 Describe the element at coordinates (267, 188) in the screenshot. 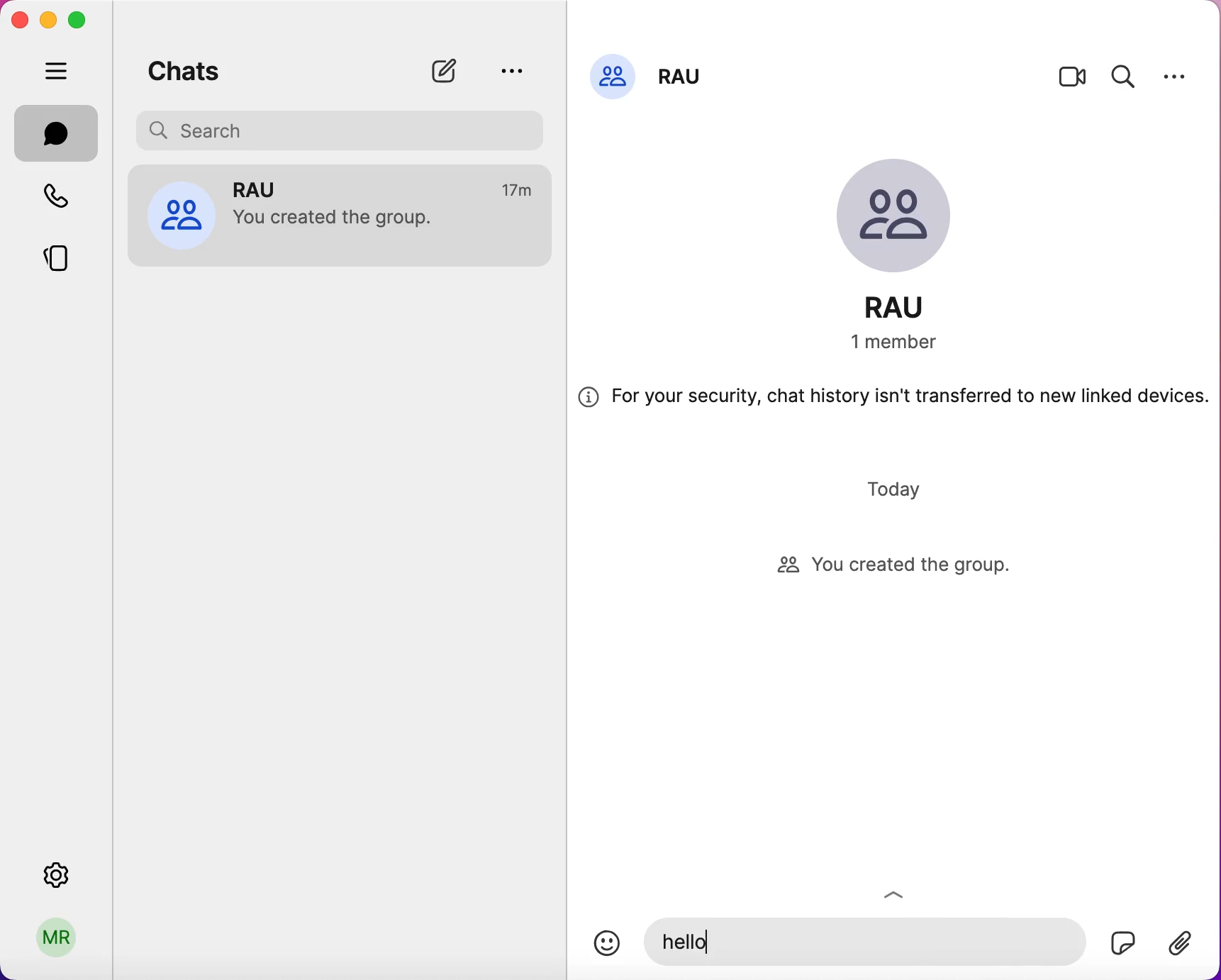

I see `group ` at that location.